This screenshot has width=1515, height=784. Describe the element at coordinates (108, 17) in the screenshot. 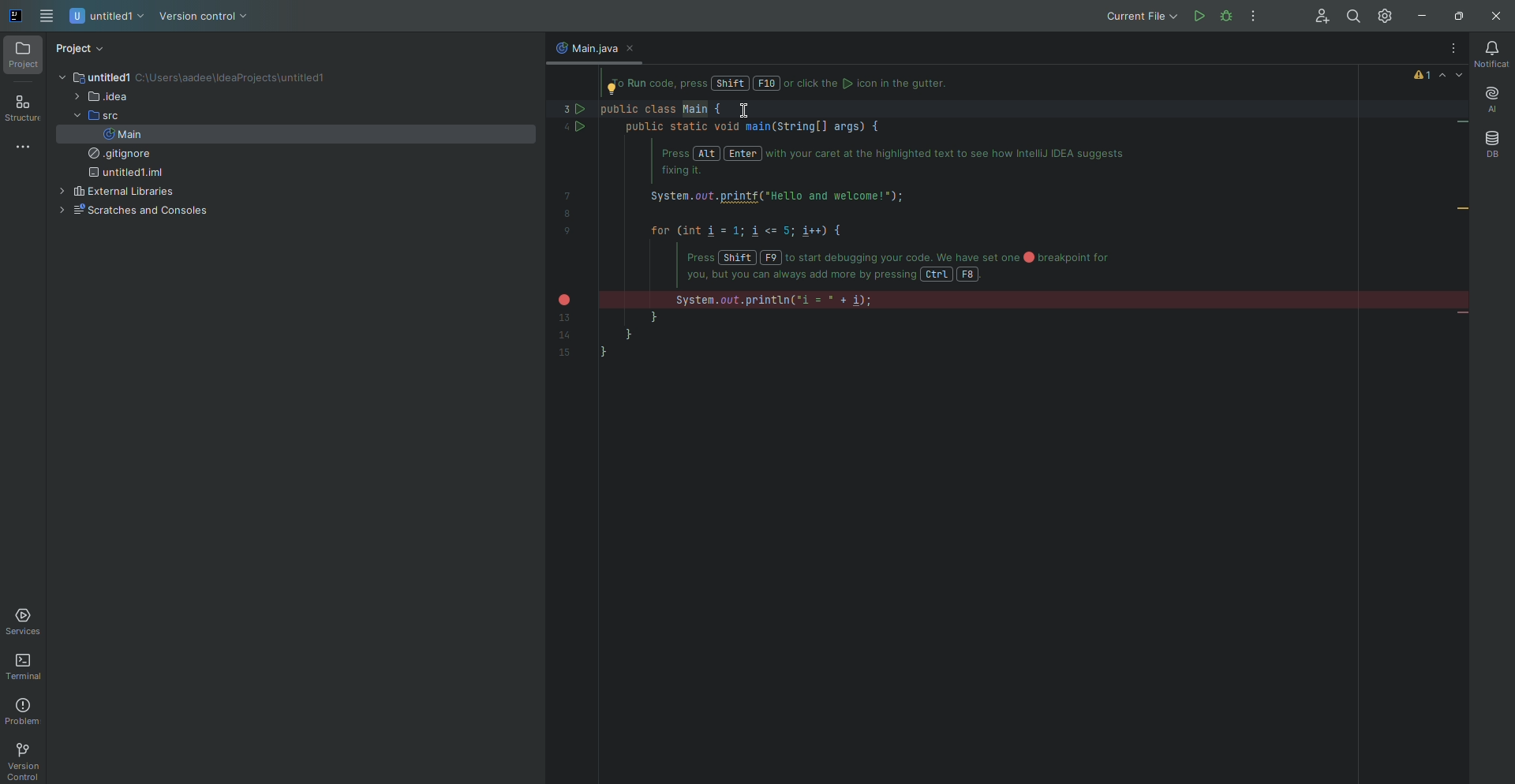

I see `Untitled 1` at that location.